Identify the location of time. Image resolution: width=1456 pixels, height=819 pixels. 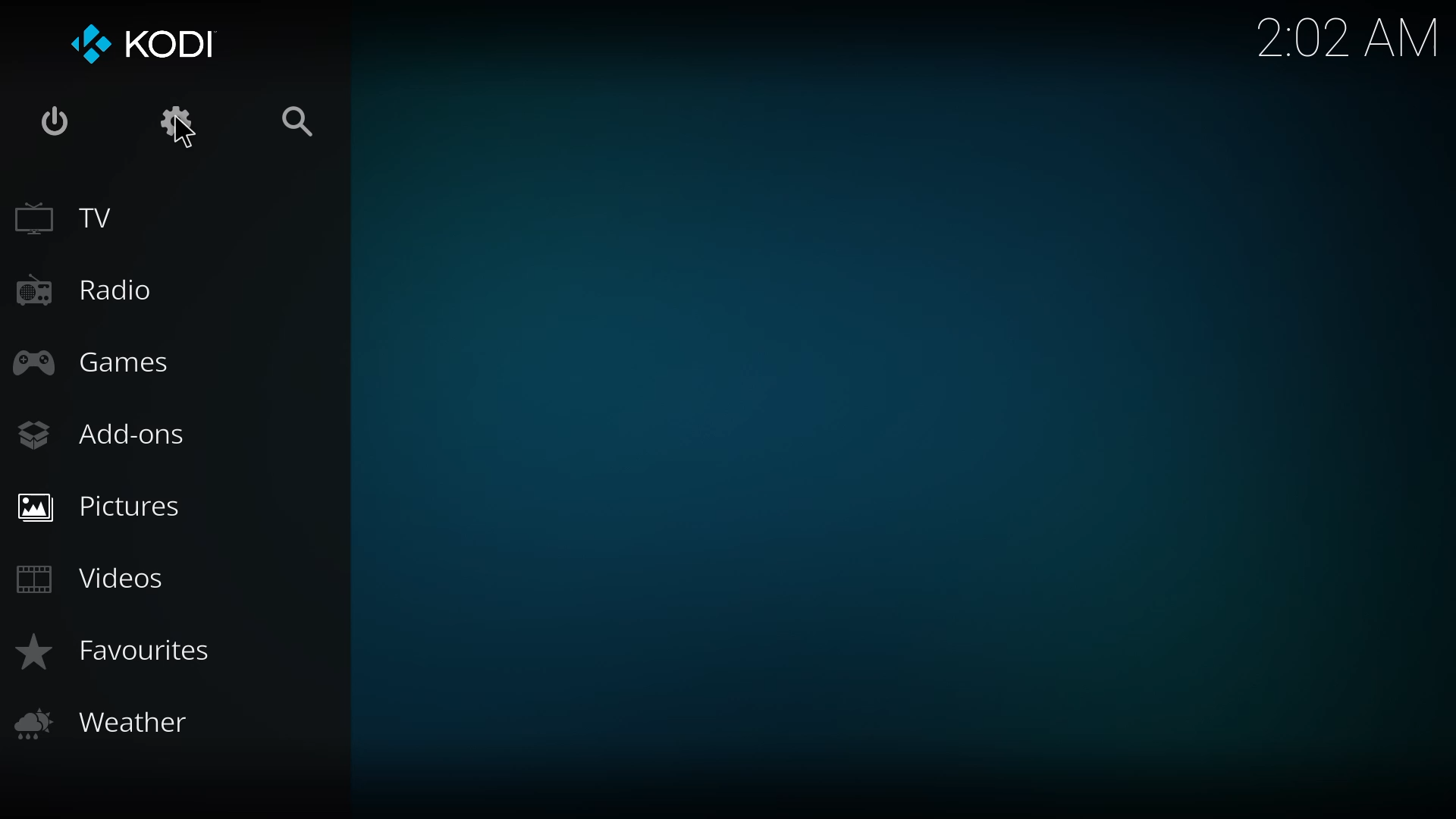
(1345, 34).